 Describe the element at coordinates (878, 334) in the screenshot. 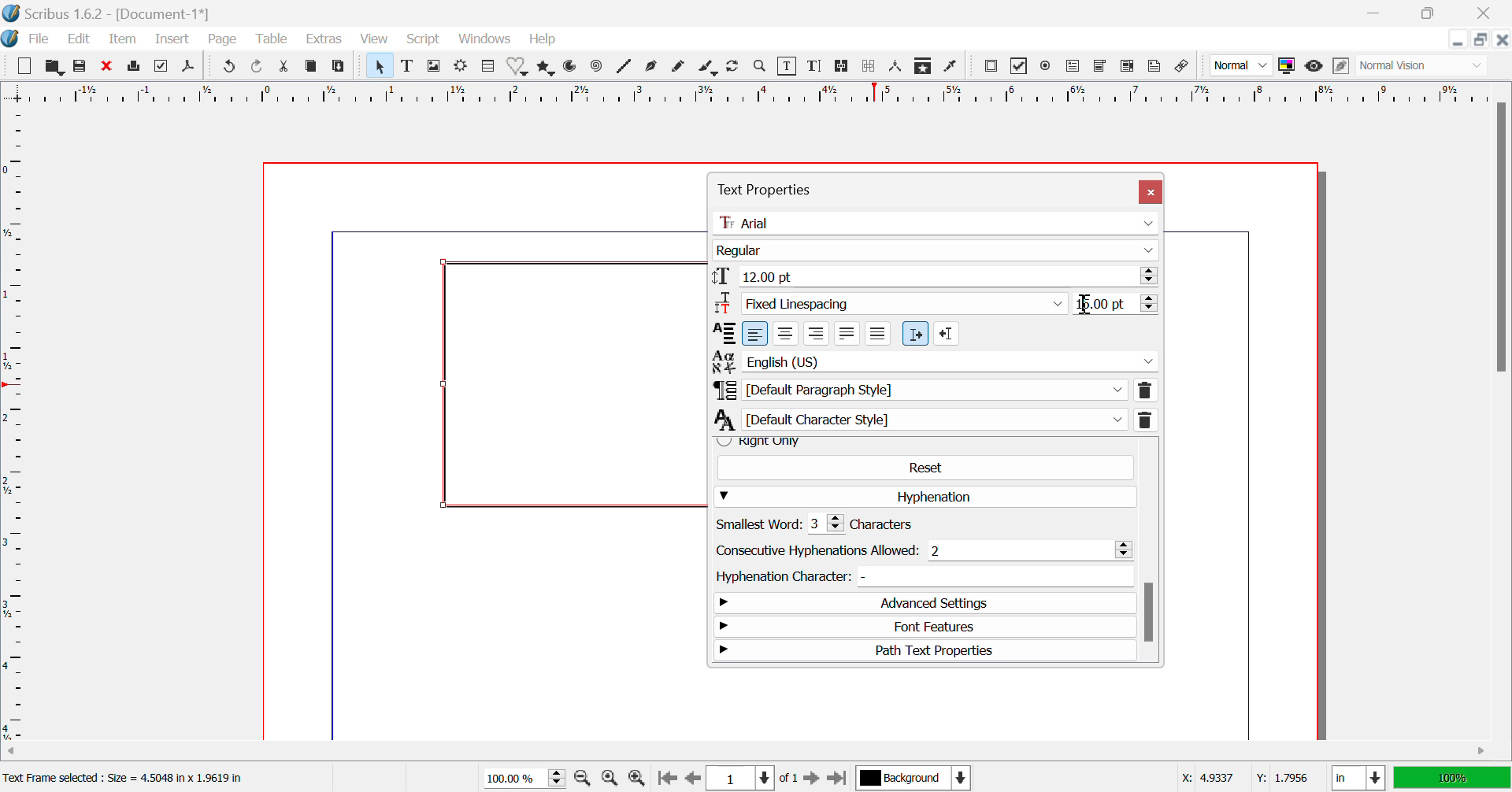

I see `Forced justified` at that location.